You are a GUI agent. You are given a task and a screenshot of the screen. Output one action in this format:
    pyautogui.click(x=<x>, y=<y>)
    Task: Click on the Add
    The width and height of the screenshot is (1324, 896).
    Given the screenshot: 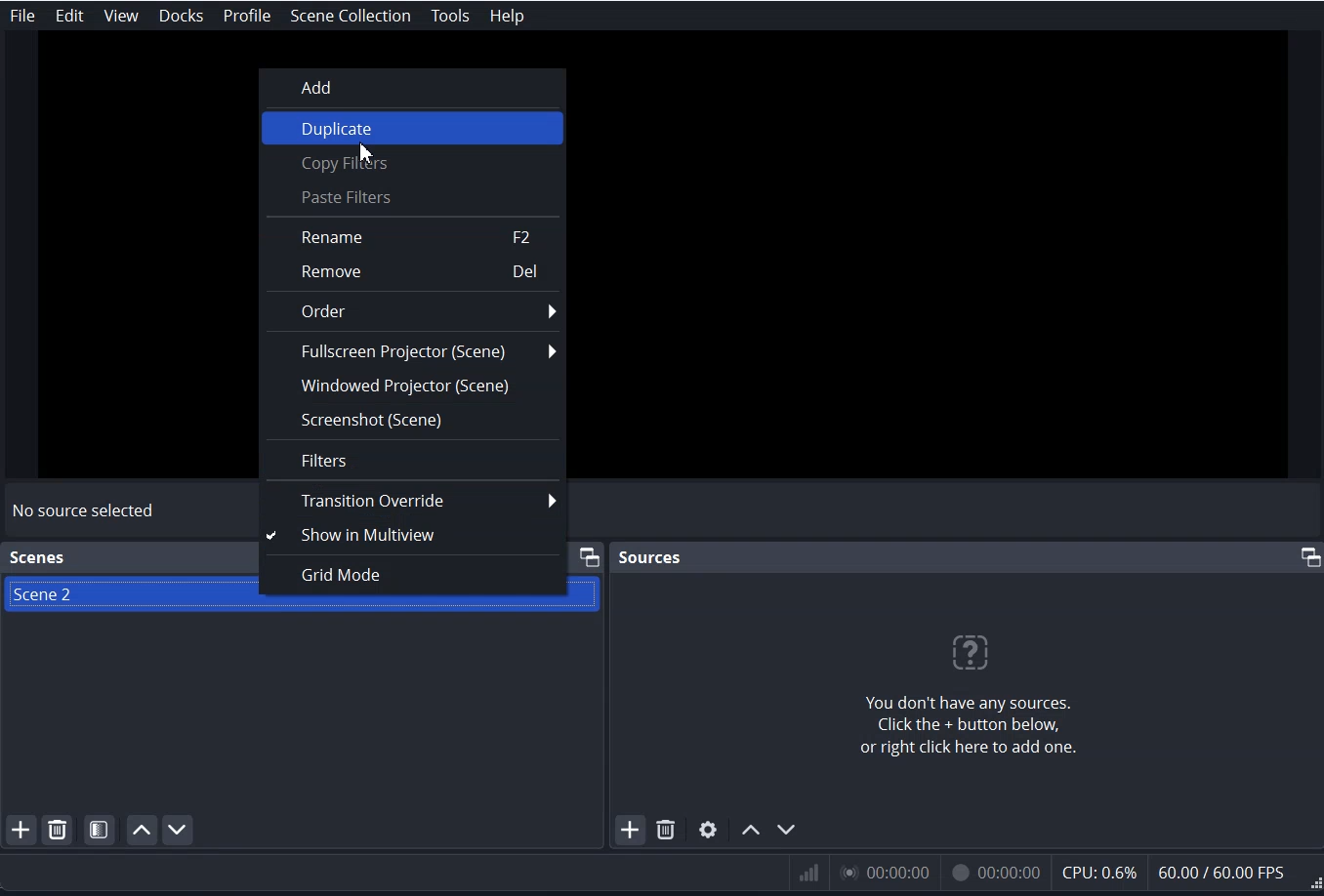 What is the action you would take?
    pyautogui.click(x=410, y=87)
    